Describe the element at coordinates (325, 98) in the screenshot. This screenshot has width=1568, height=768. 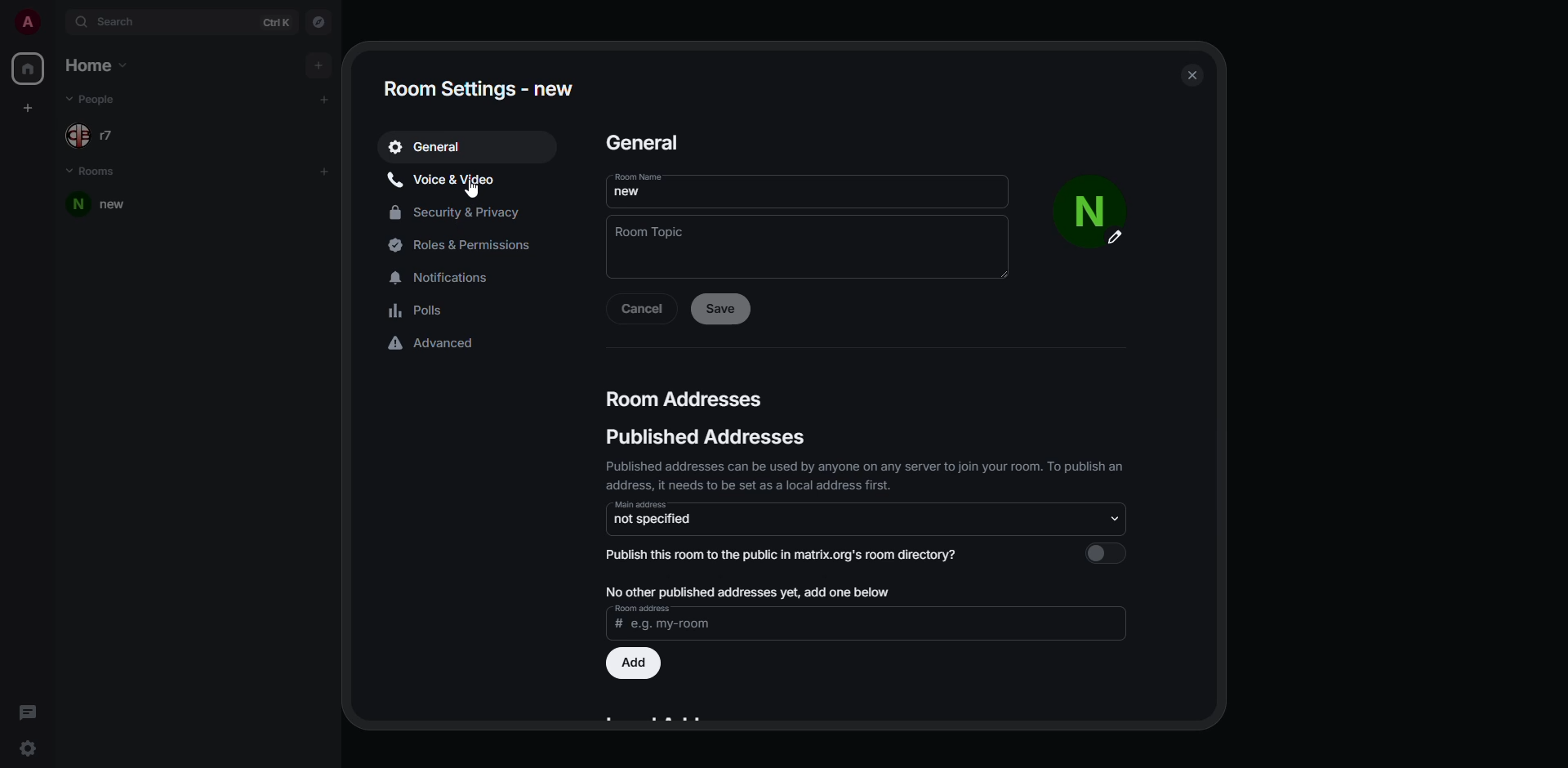
I see `add` at that location.